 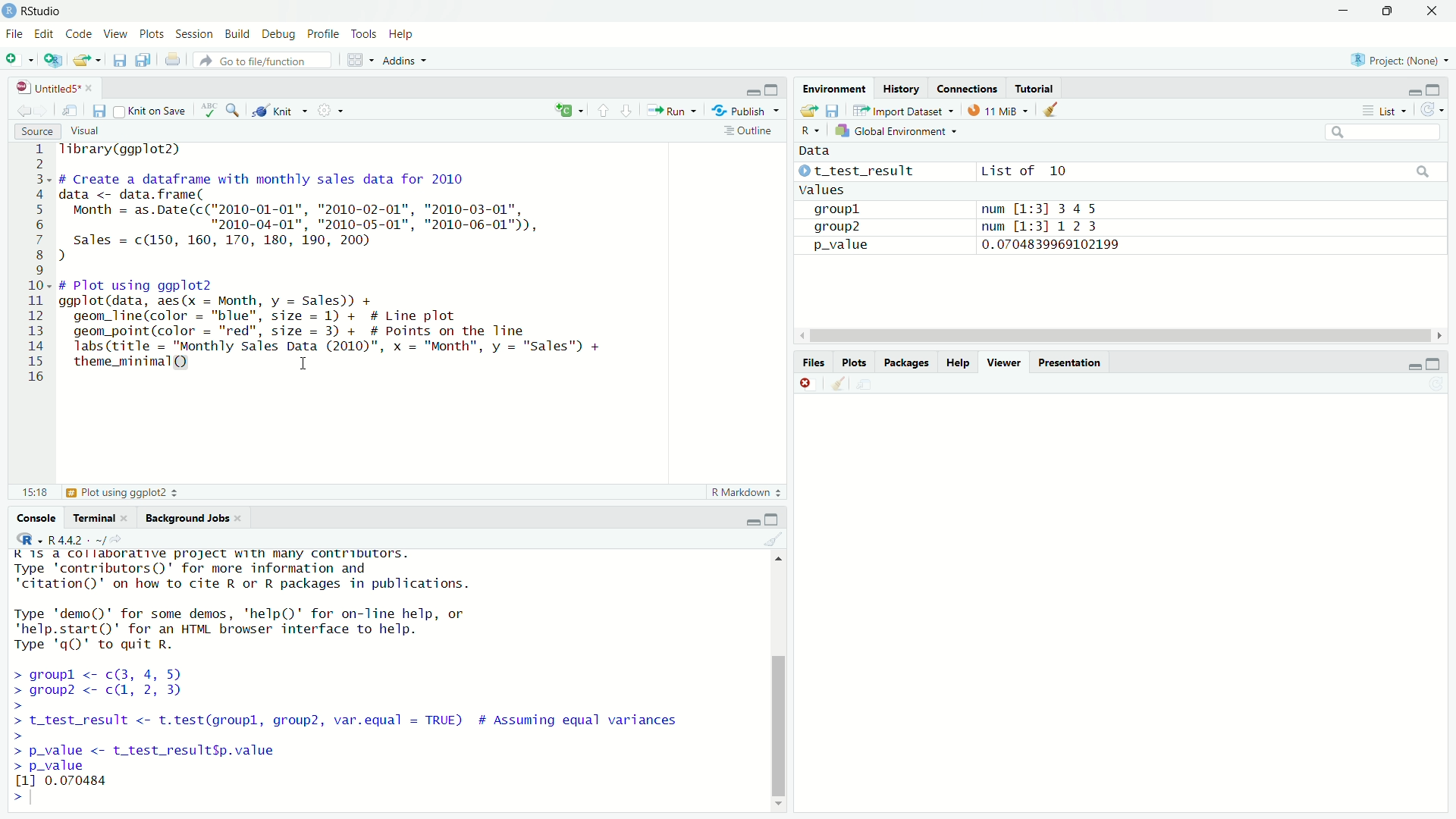 I want to click on workspace panel, so click(x=362, y=59).